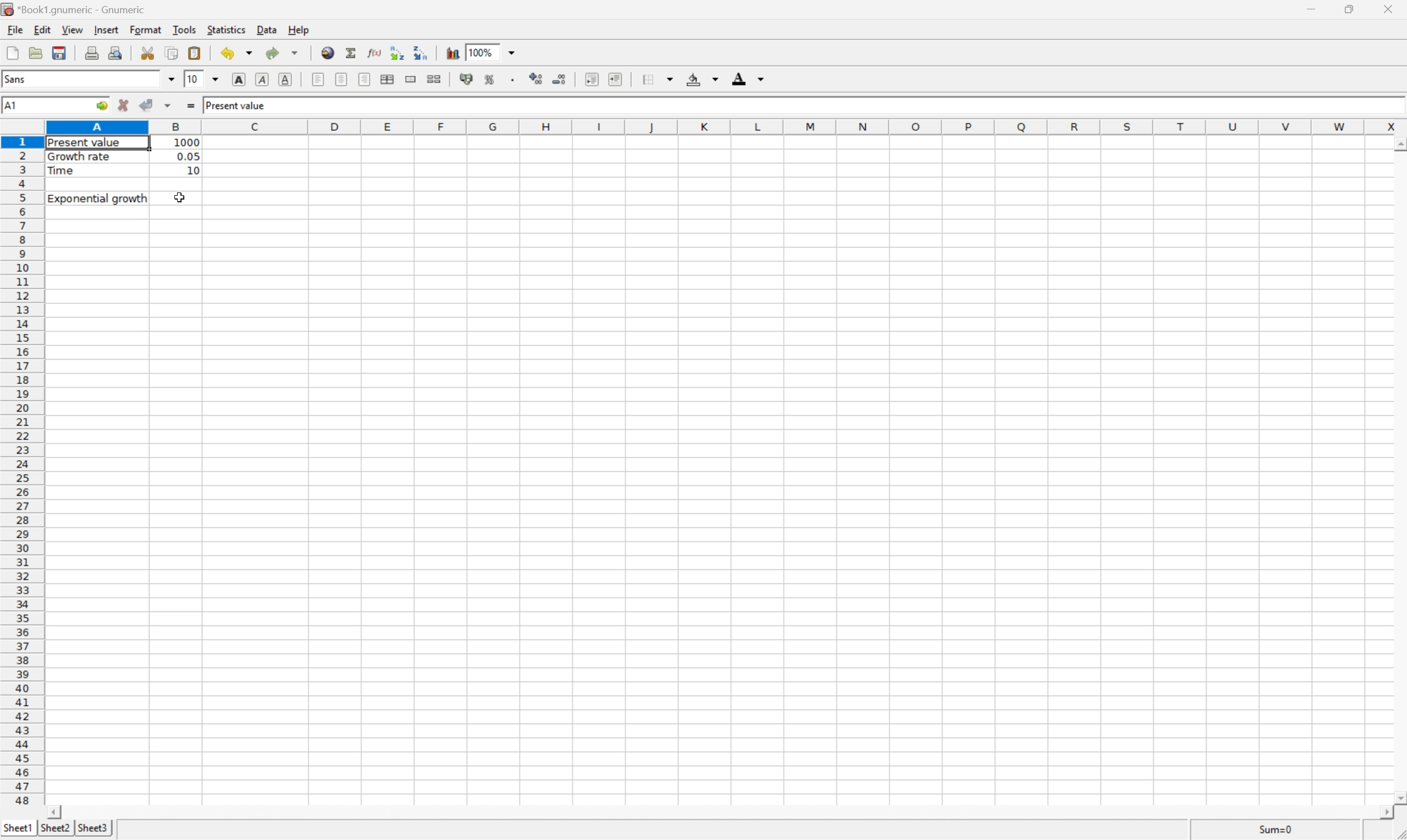 The height and width of the screenshot is (840, 1407). What do you see at coordinates (234, 52) in the screenshot?
I see `Undo` at bounding box center [234, 52].